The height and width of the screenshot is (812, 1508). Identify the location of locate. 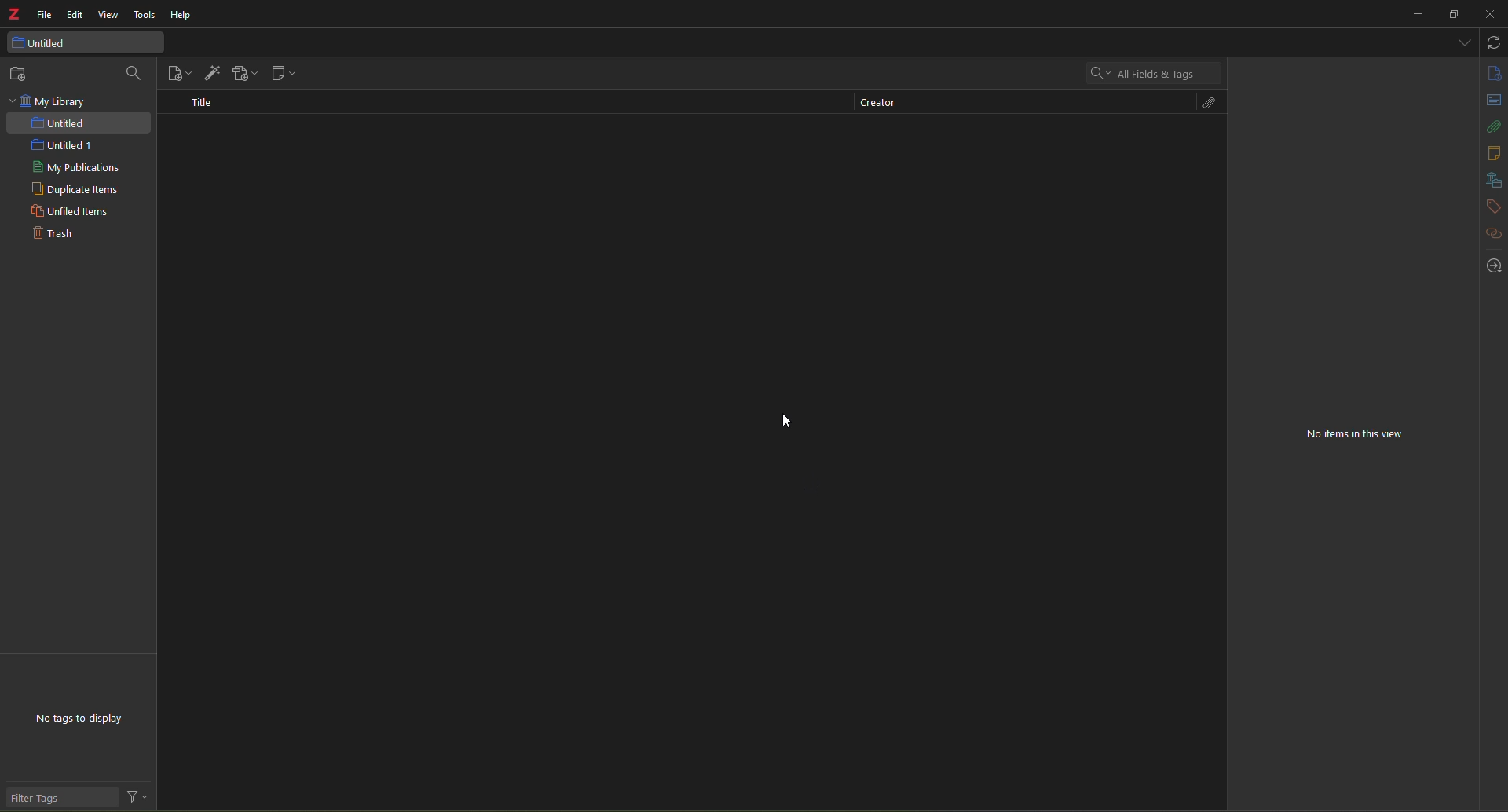
(1494, 266).